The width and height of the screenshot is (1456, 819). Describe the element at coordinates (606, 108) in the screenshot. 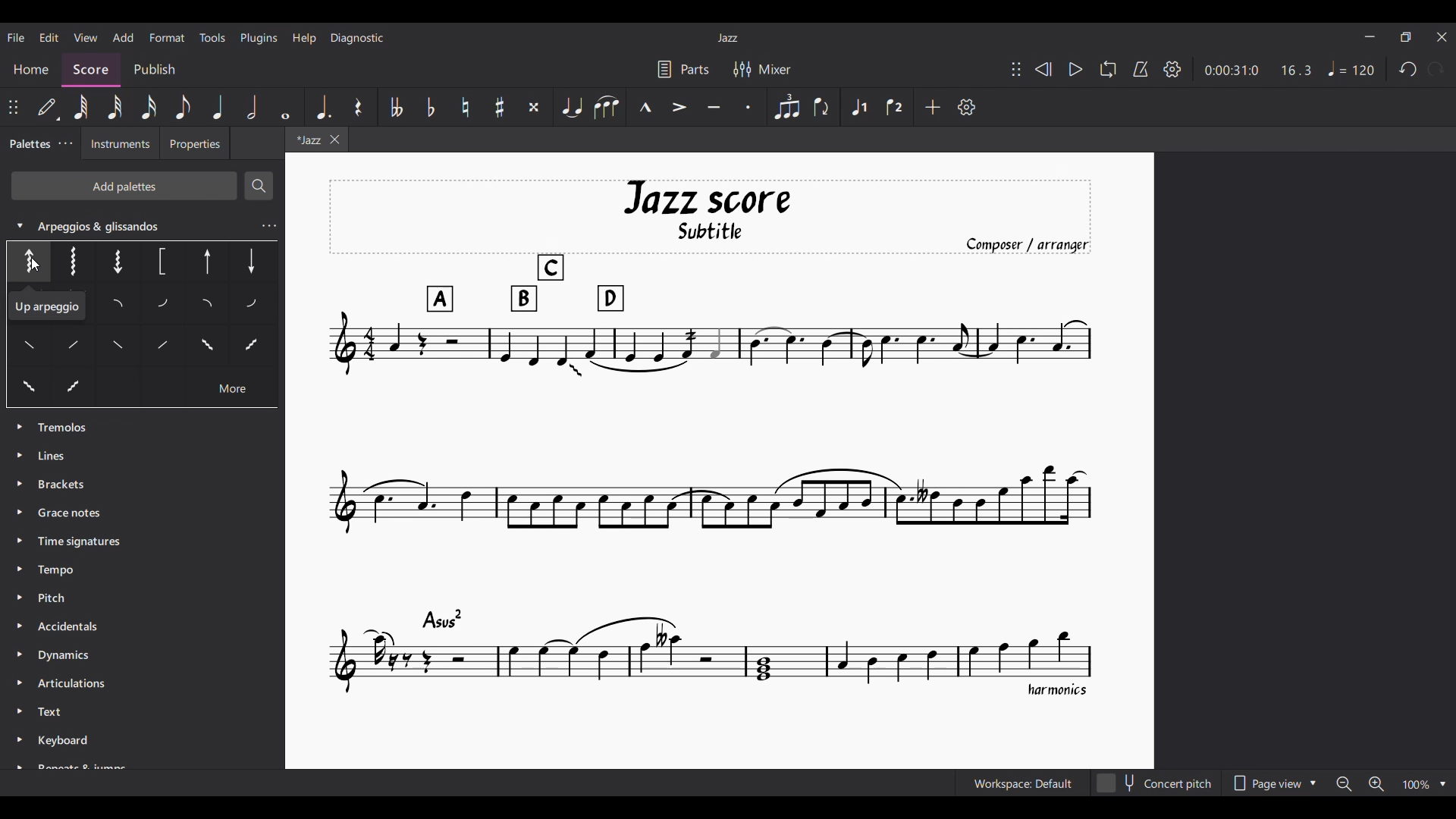

I see `Slur` at that location.